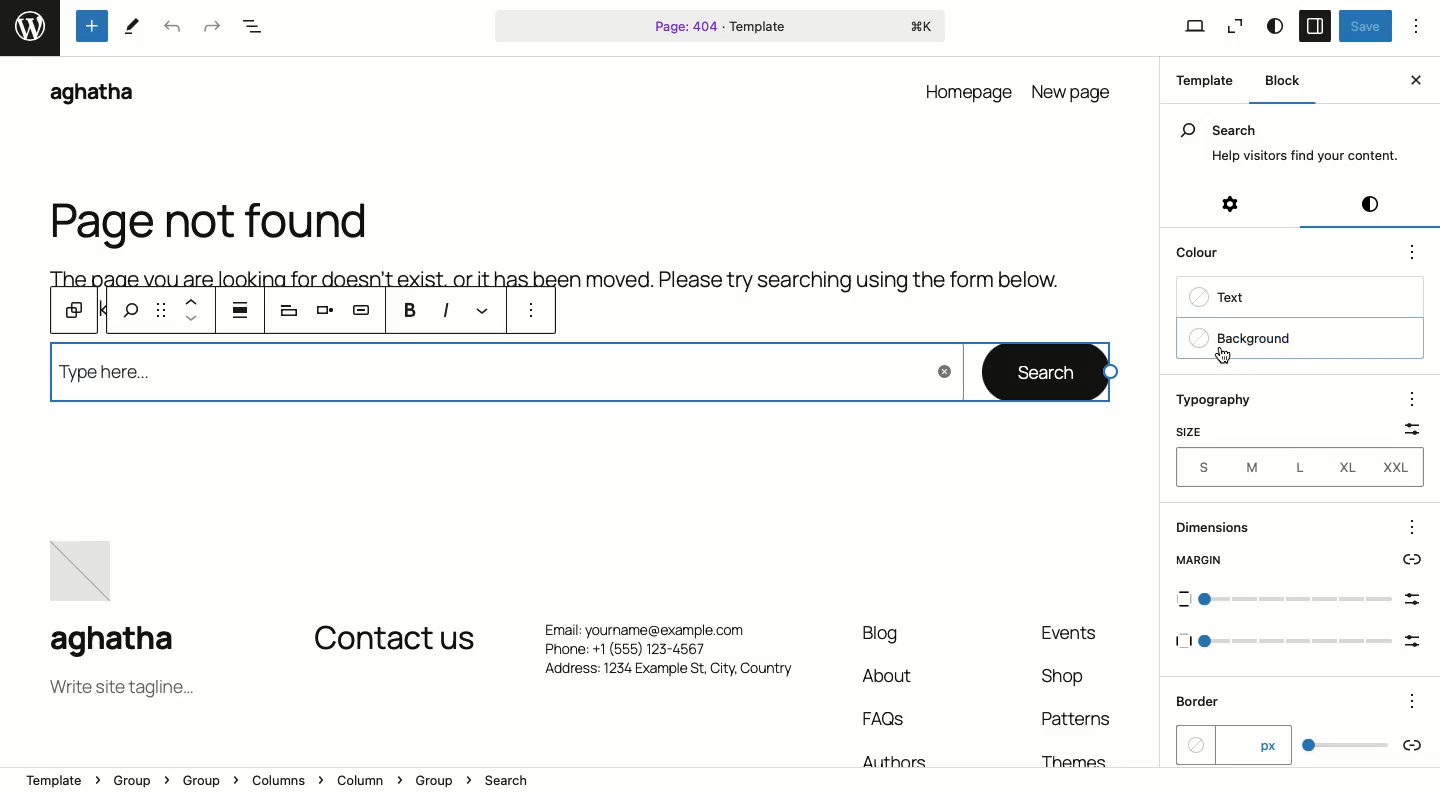  Describe the element at coordinates (1366, 26) in the screenshot. I see `Save` at that location.